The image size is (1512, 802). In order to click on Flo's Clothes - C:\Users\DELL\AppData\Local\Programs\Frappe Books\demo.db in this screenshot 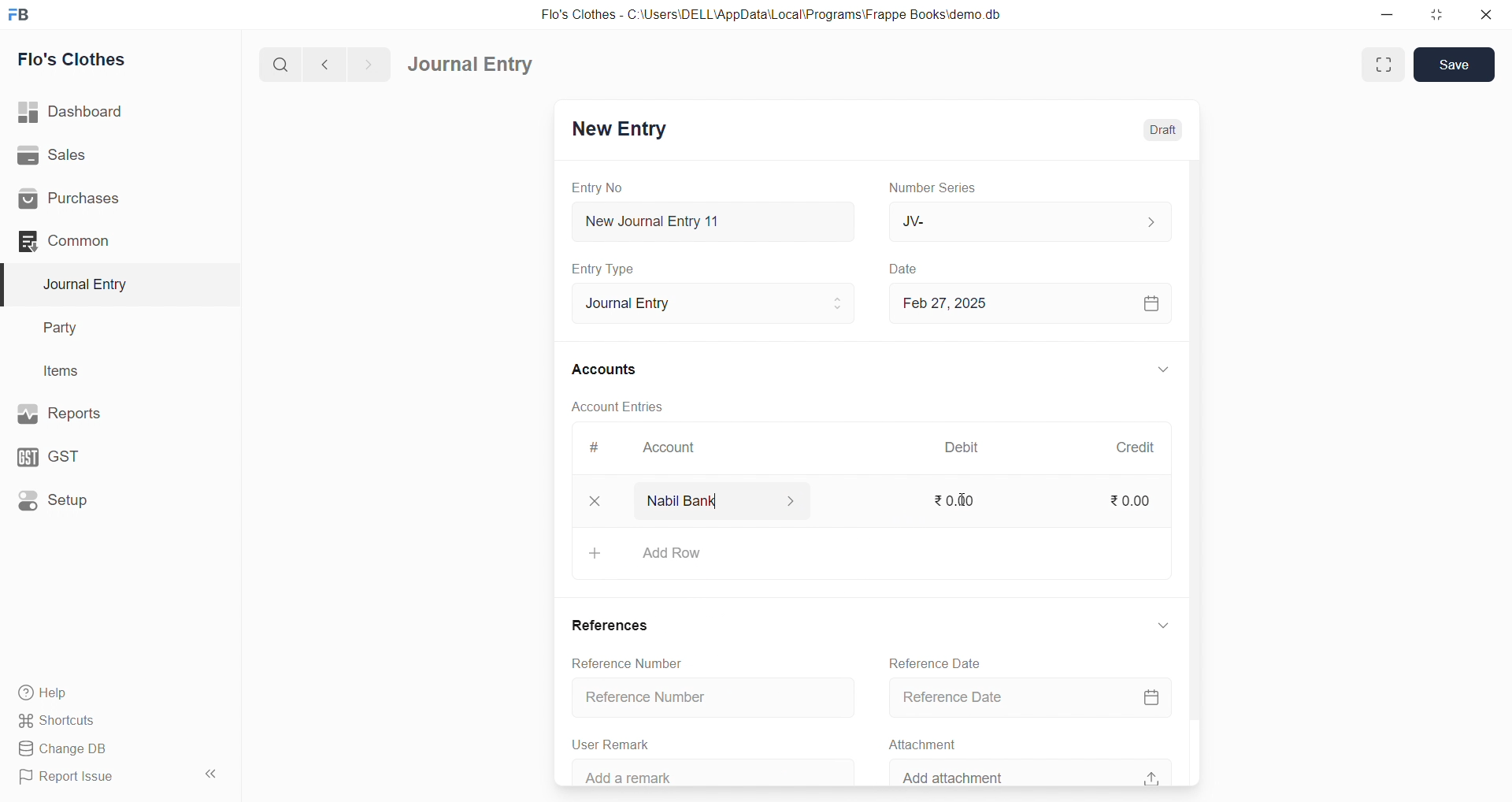, I will do `click(771, 13)`.